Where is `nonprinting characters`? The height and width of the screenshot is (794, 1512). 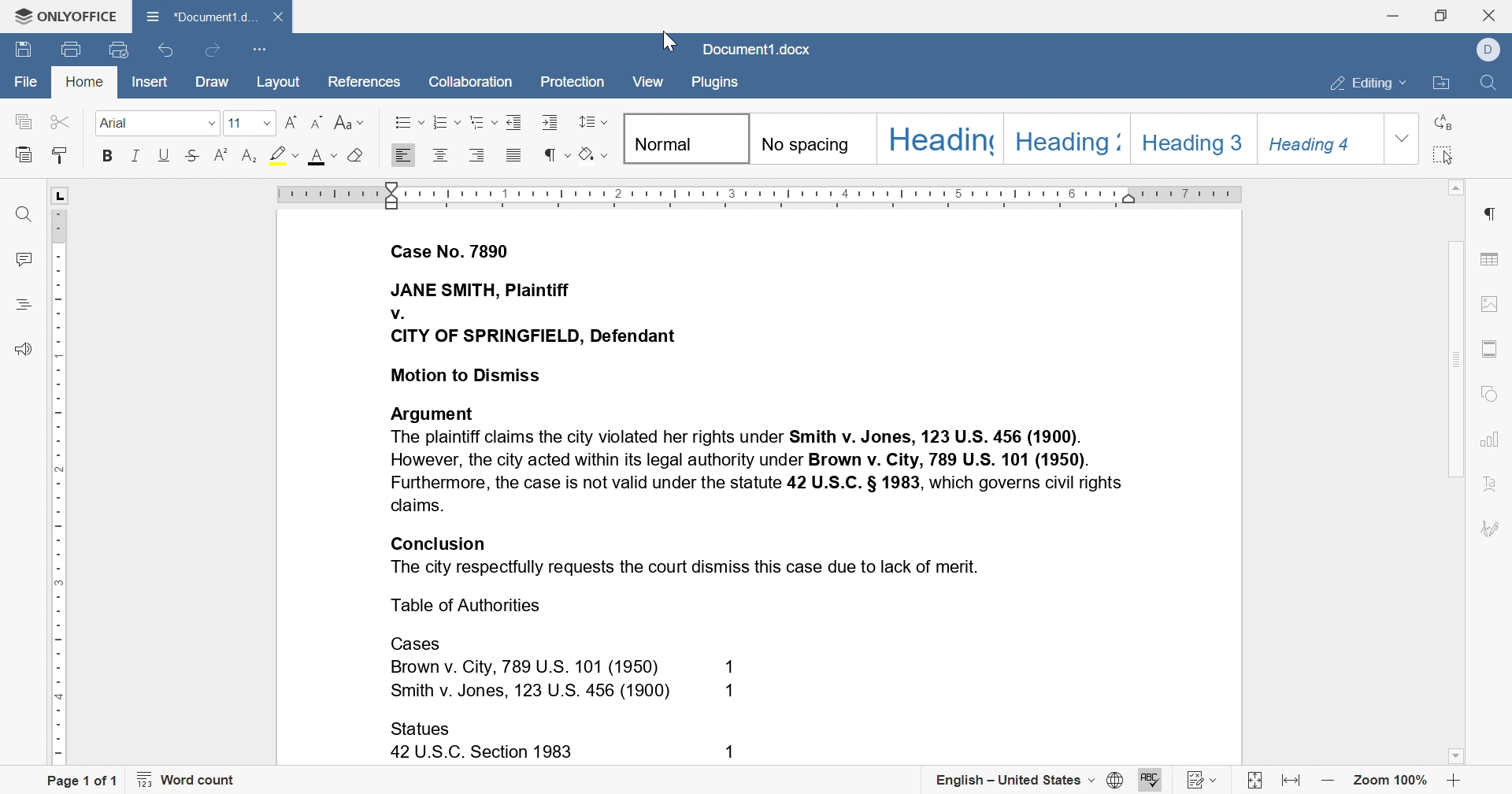
nonprinting characters is located at coordinates (557, 153).